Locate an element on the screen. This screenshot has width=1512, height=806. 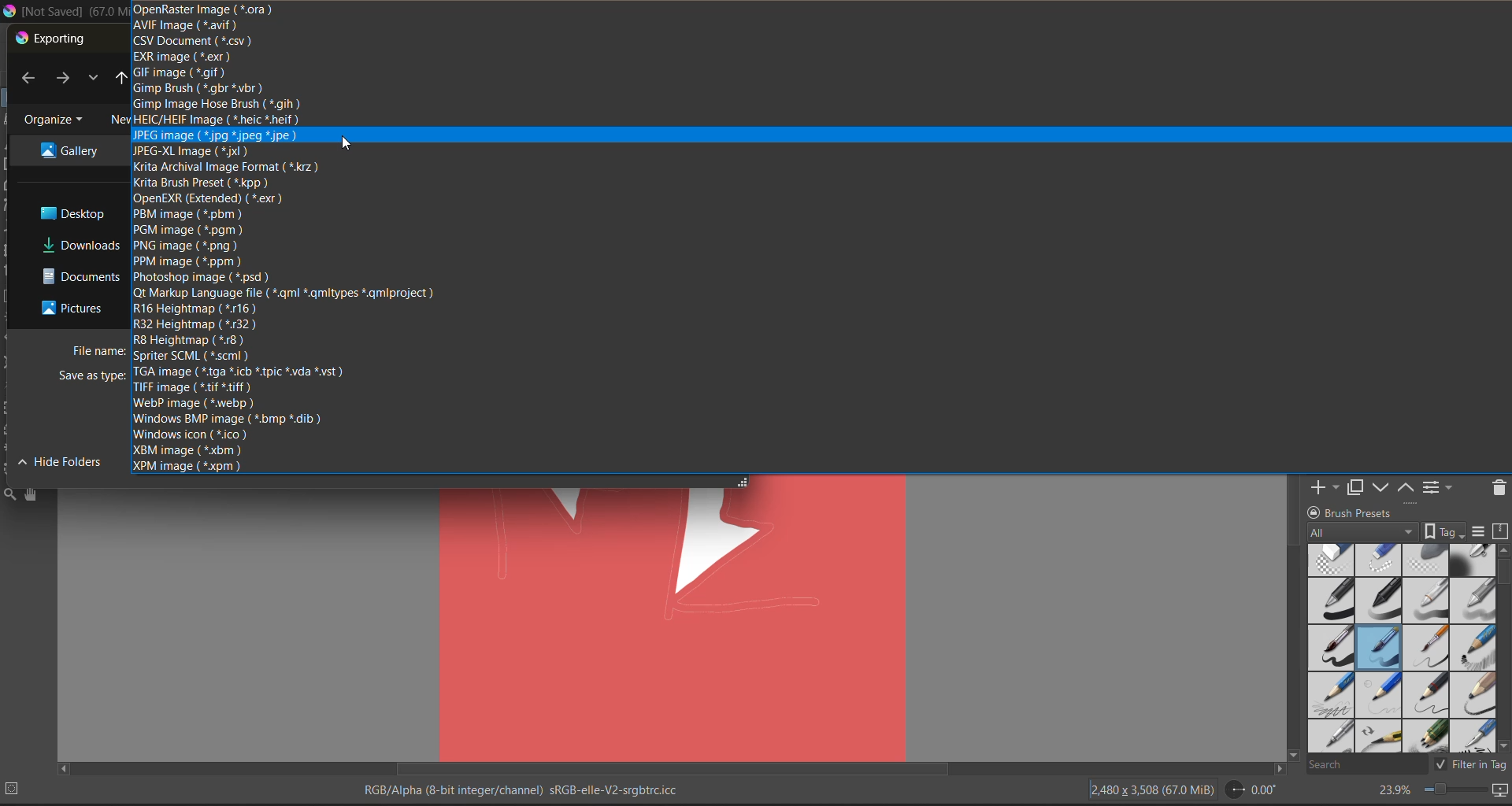
webp image is located at coordinates (195, 402).